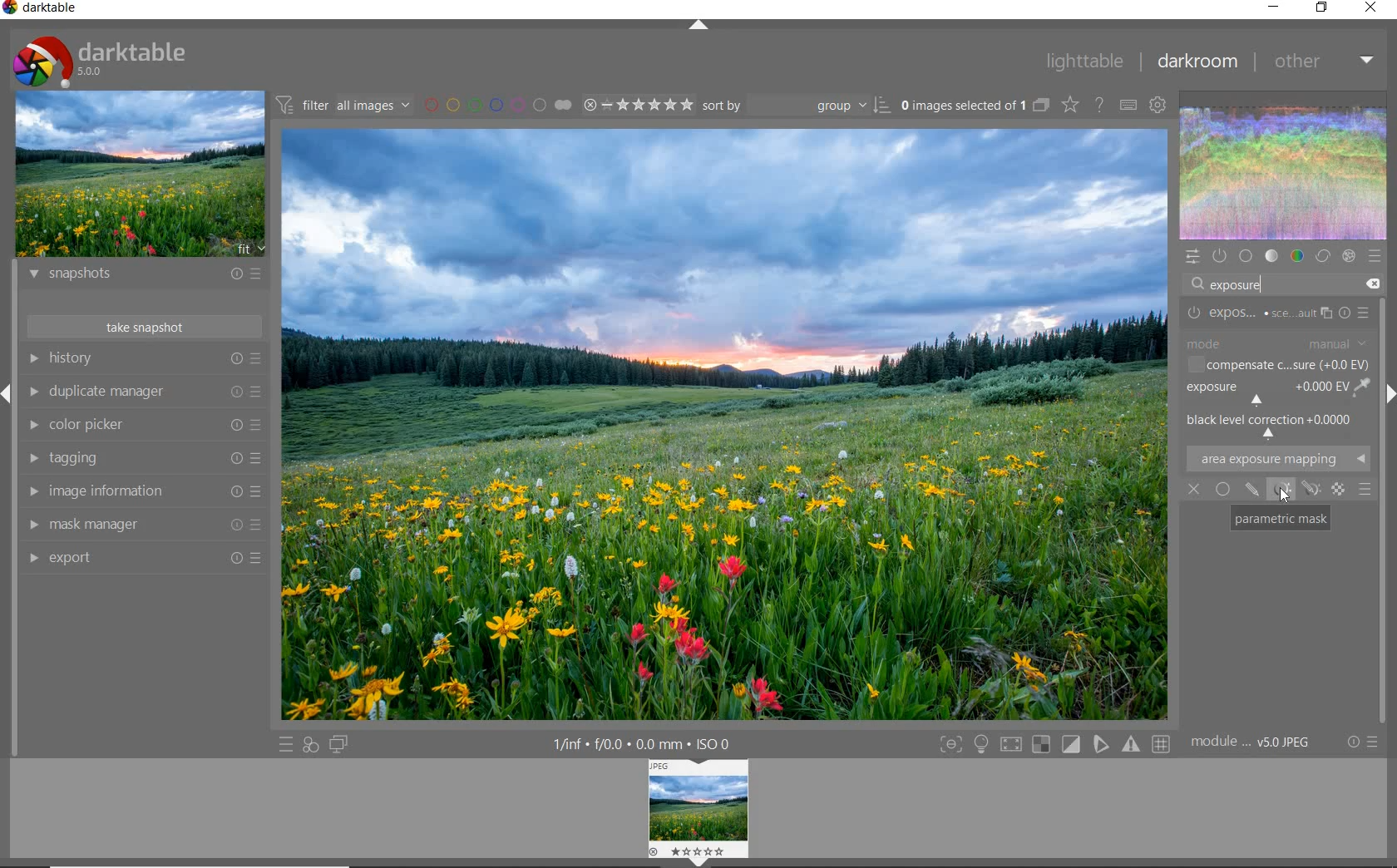 The image size is (1397, 868). Describe the element at coordinates (1264, 393) in the screenshot. I see `EXPOSURE` at that location.